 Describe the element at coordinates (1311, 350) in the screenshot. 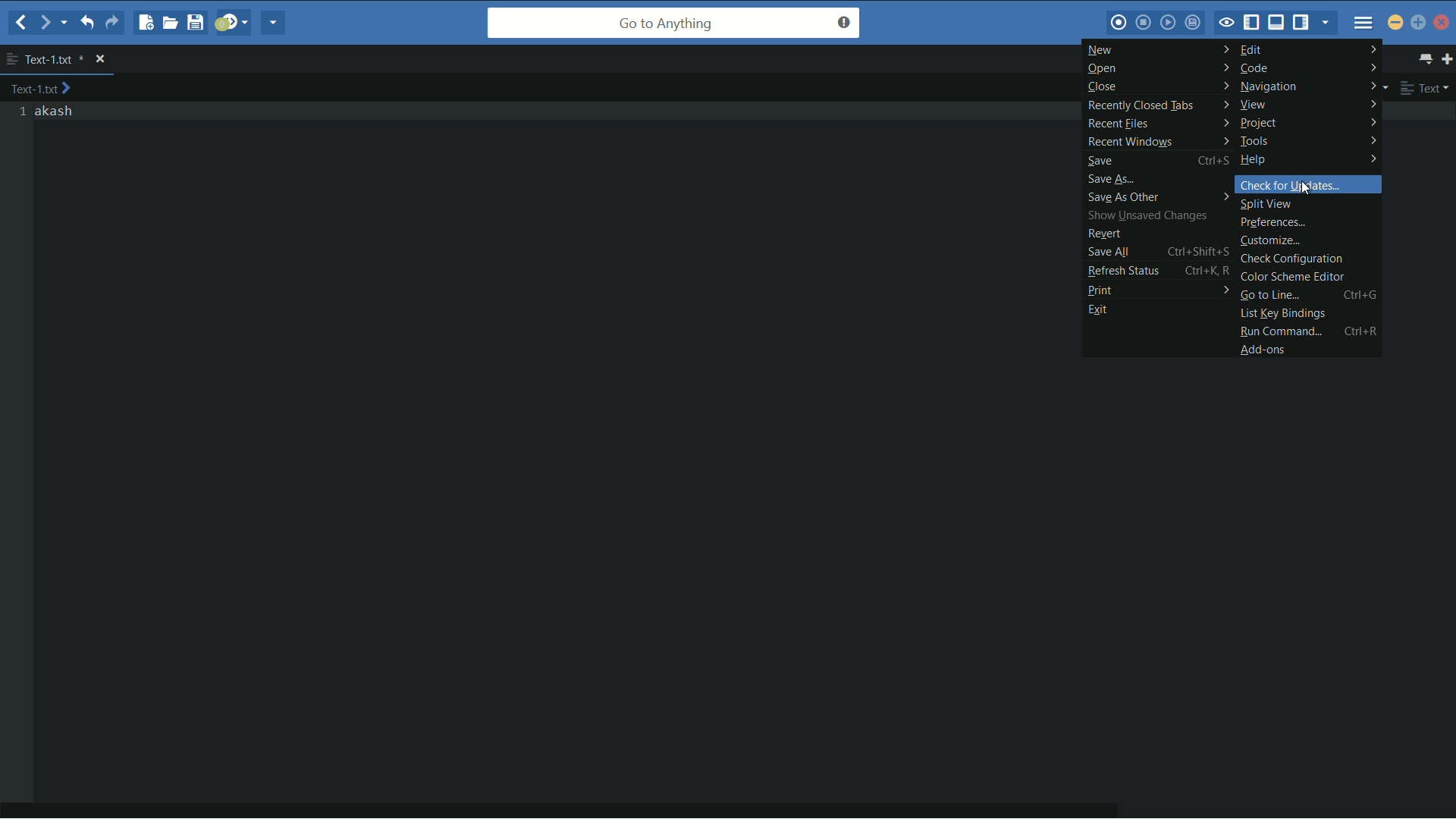

I see `add ons` at that location.